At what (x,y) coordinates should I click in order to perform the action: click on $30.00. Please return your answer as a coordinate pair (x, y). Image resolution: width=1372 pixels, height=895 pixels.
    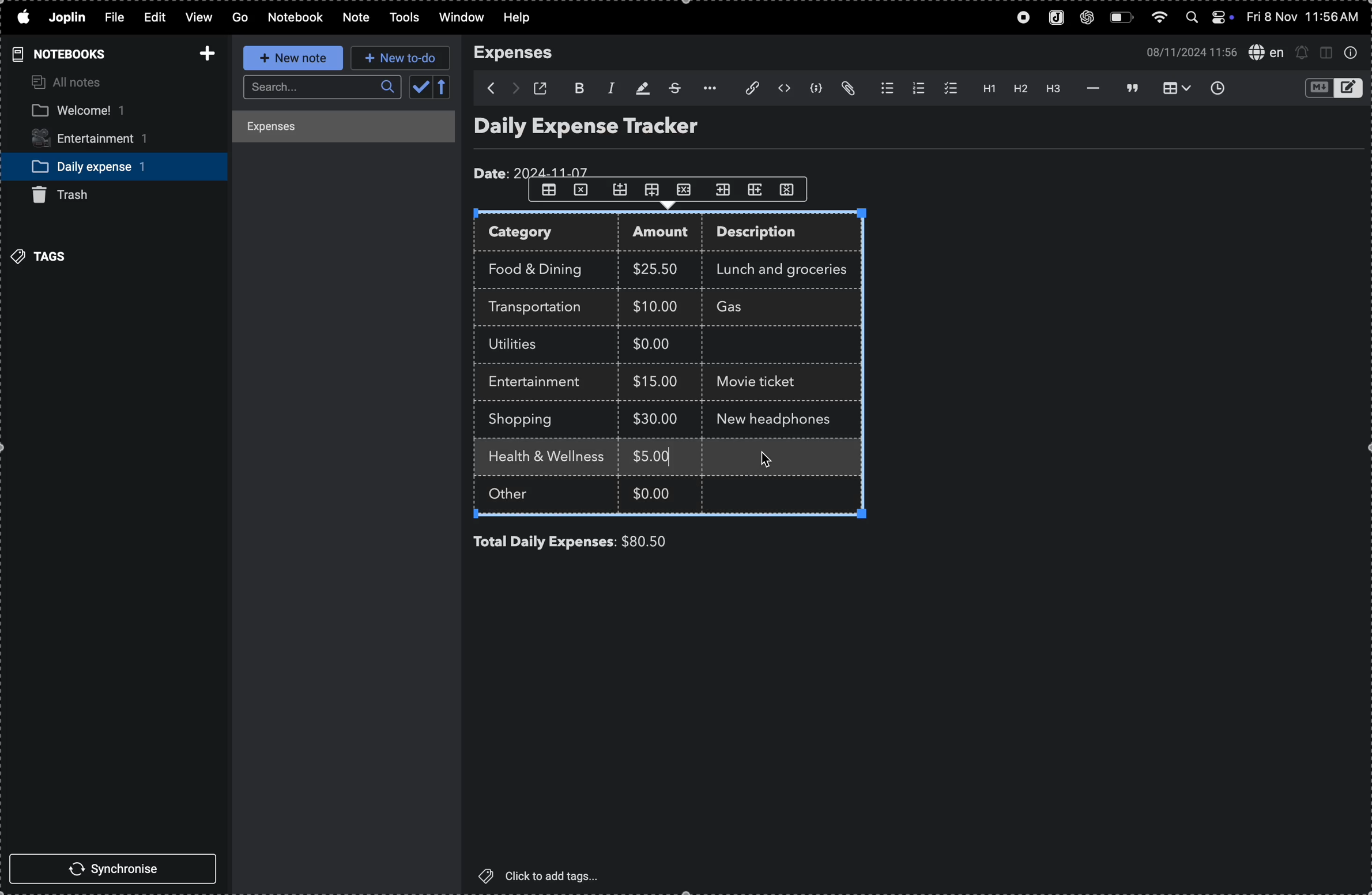
    Looking at the image, I should click on (655, 419).